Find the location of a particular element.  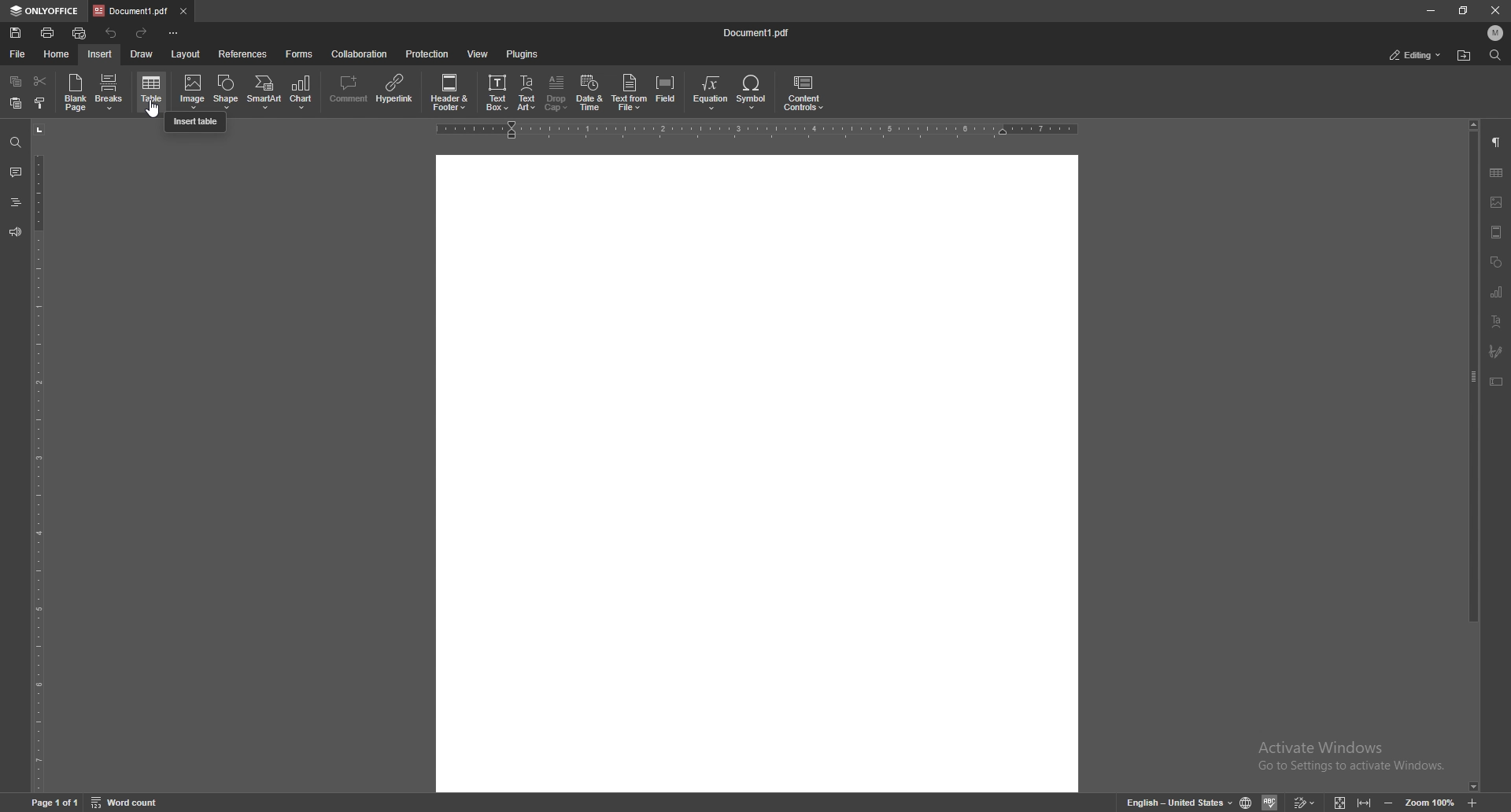

copy is located at coordinates (16, 81).